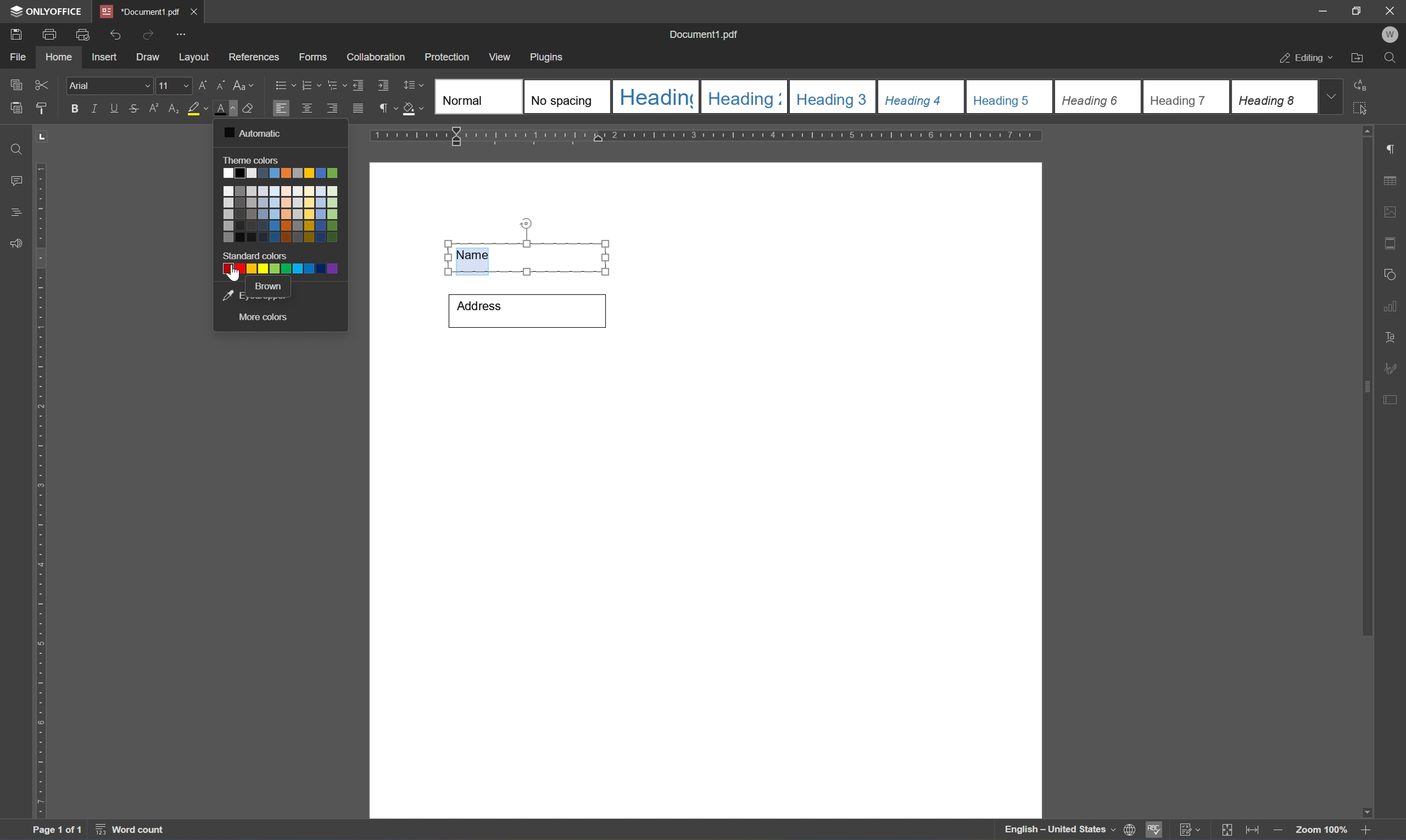  What do you see at coordinates (197, 109) in the screenshot?
I see `highlight color` at bounding box center [197, 109].